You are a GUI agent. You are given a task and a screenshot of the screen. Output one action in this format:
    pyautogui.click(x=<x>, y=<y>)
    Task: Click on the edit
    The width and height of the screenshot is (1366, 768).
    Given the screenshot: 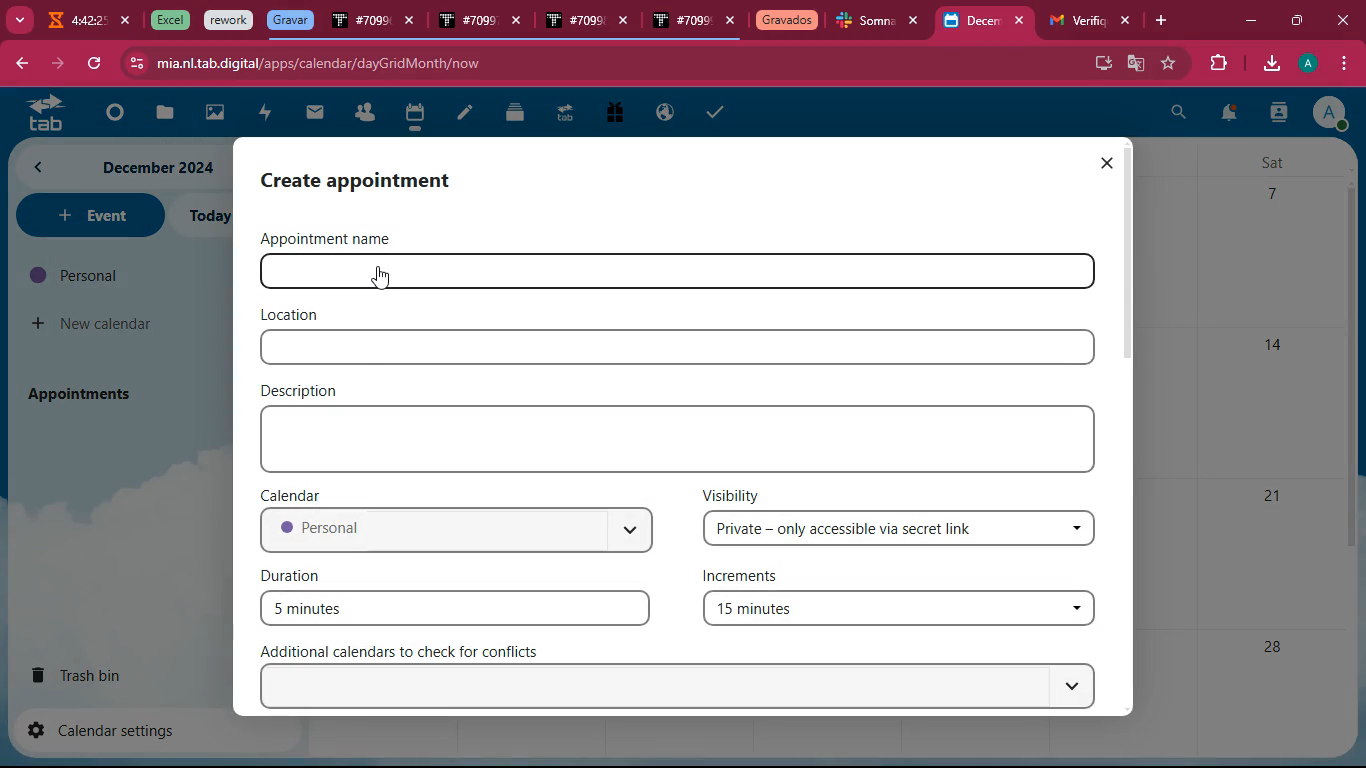 What is the action you would take?
    pyautogui.click(x=465, y=115)
    